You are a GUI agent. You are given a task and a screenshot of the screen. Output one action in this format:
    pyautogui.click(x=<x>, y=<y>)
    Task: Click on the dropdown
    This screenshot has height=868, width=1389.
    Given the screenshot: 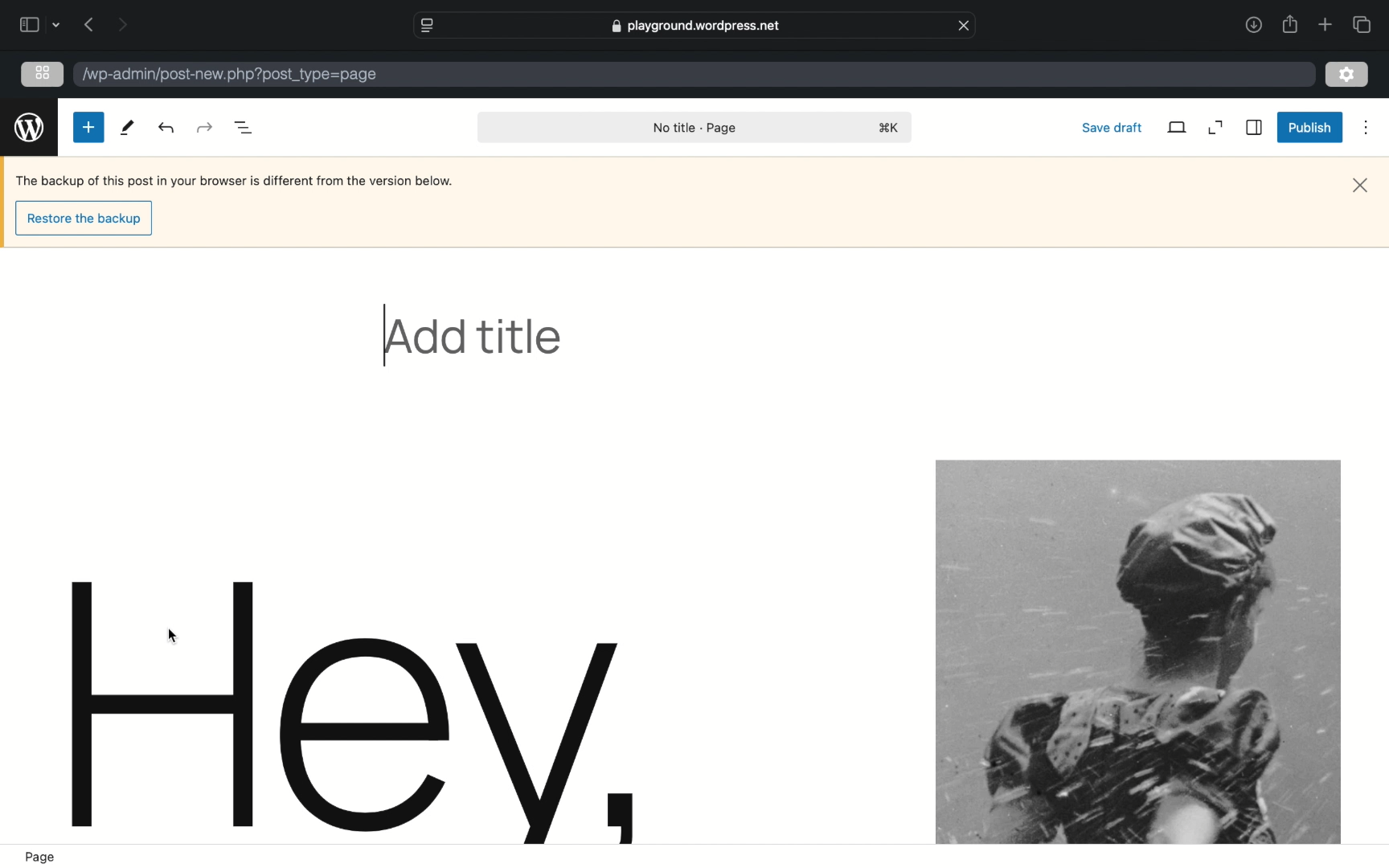 What is the action you would take?
    pyautogui.click(x=56, y=24)
    